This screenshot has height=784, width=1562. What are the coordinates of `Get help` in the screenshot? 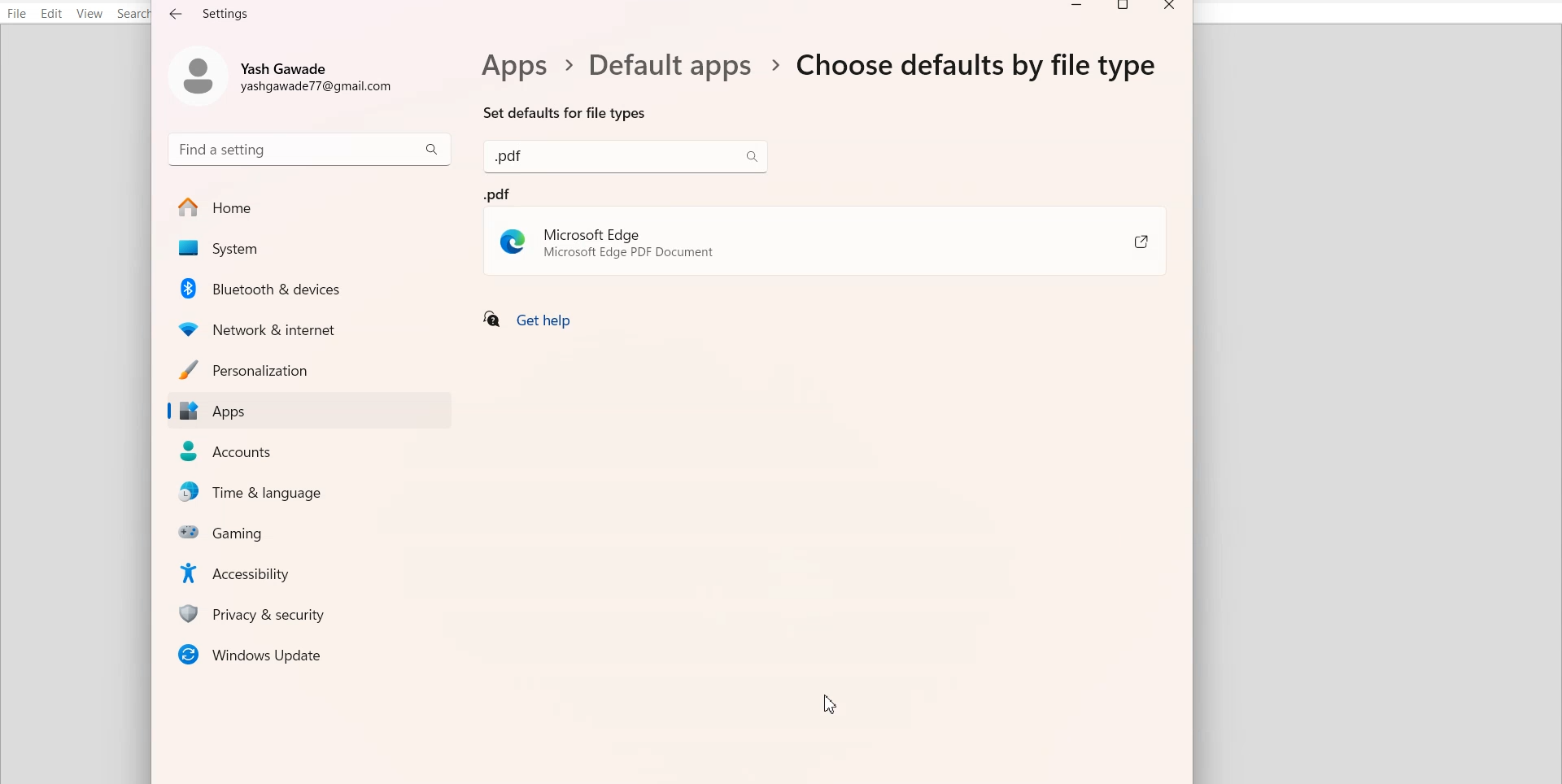 It's located at (531, 320).